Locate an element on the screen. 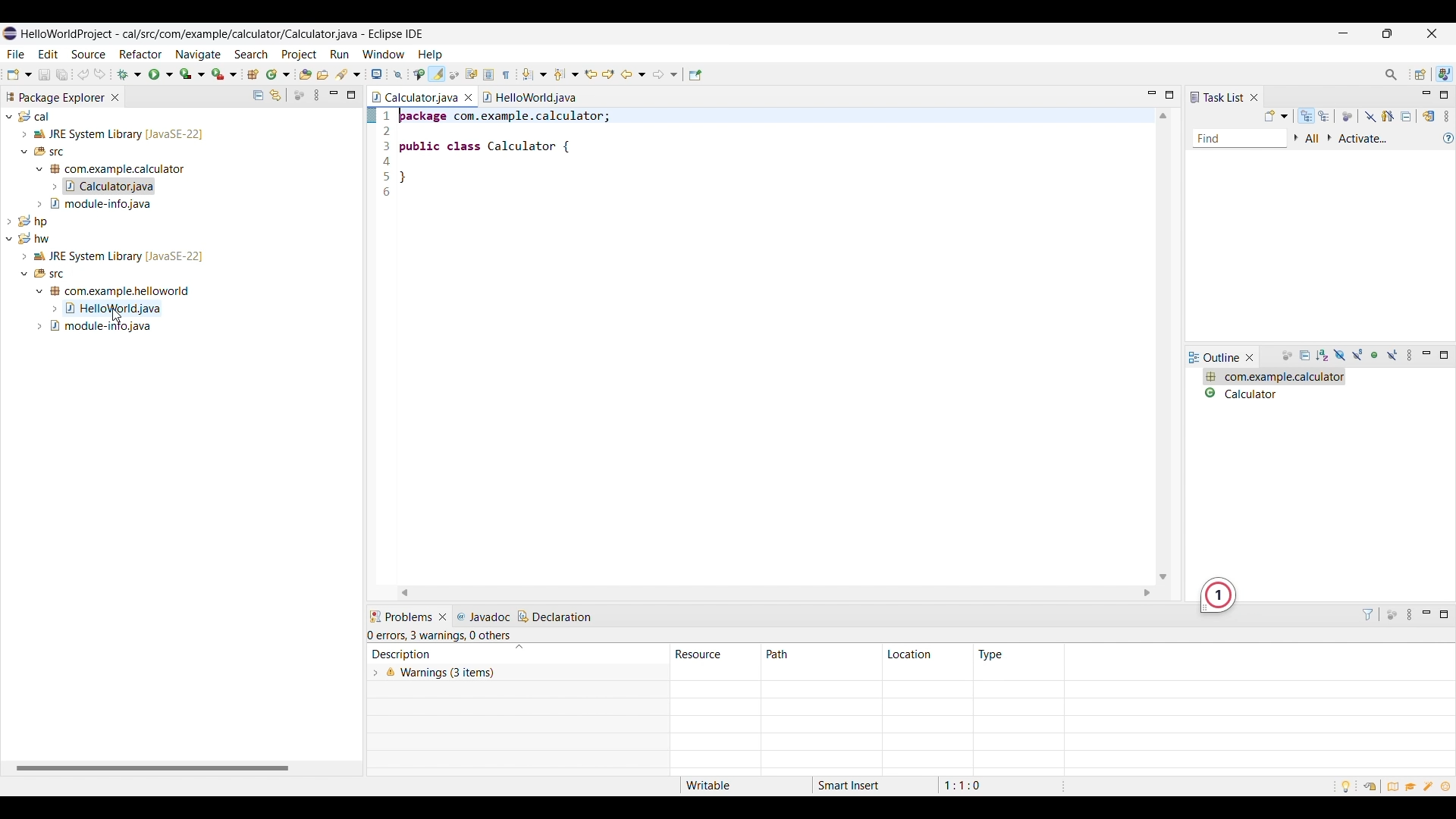 This screenshot has width=1456, height=819. View menu is located at coordinates (1411, 356).